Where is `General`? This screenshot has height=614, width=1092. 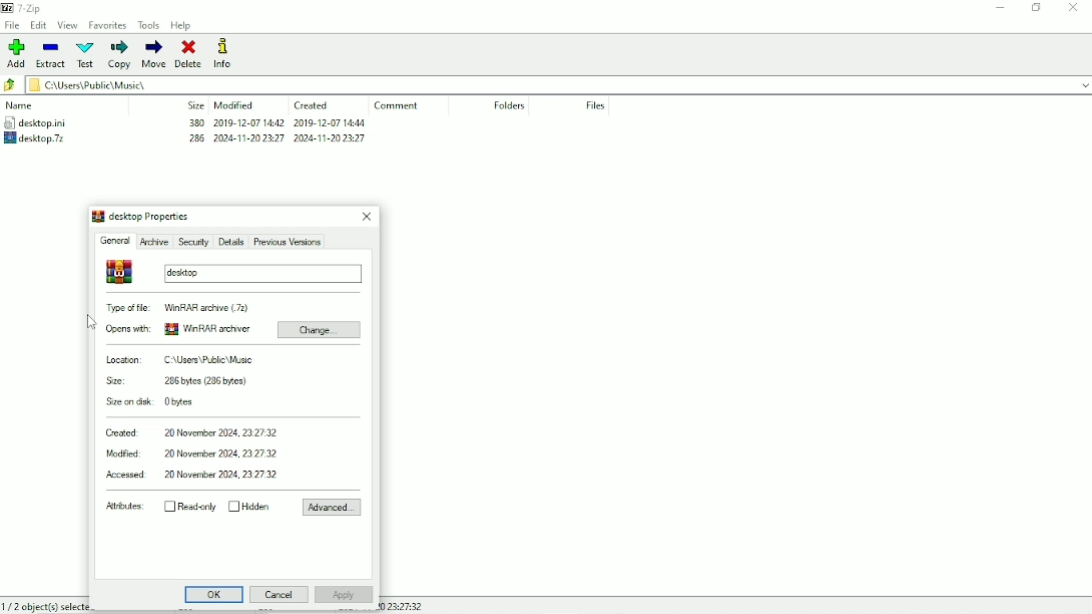
General is located at coordinates (115, 242).